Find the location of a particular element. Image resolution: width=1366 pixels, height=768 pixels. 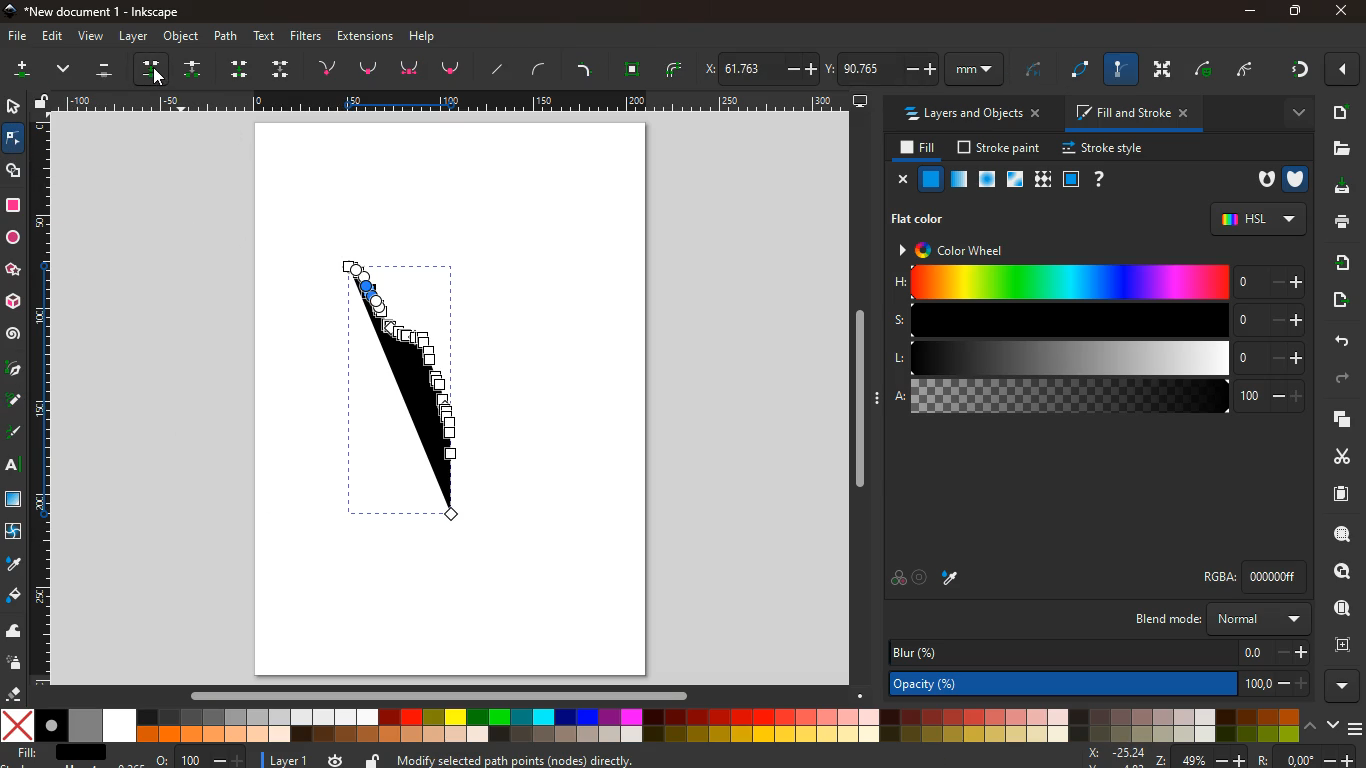

time is located at coordinates (336, 760).